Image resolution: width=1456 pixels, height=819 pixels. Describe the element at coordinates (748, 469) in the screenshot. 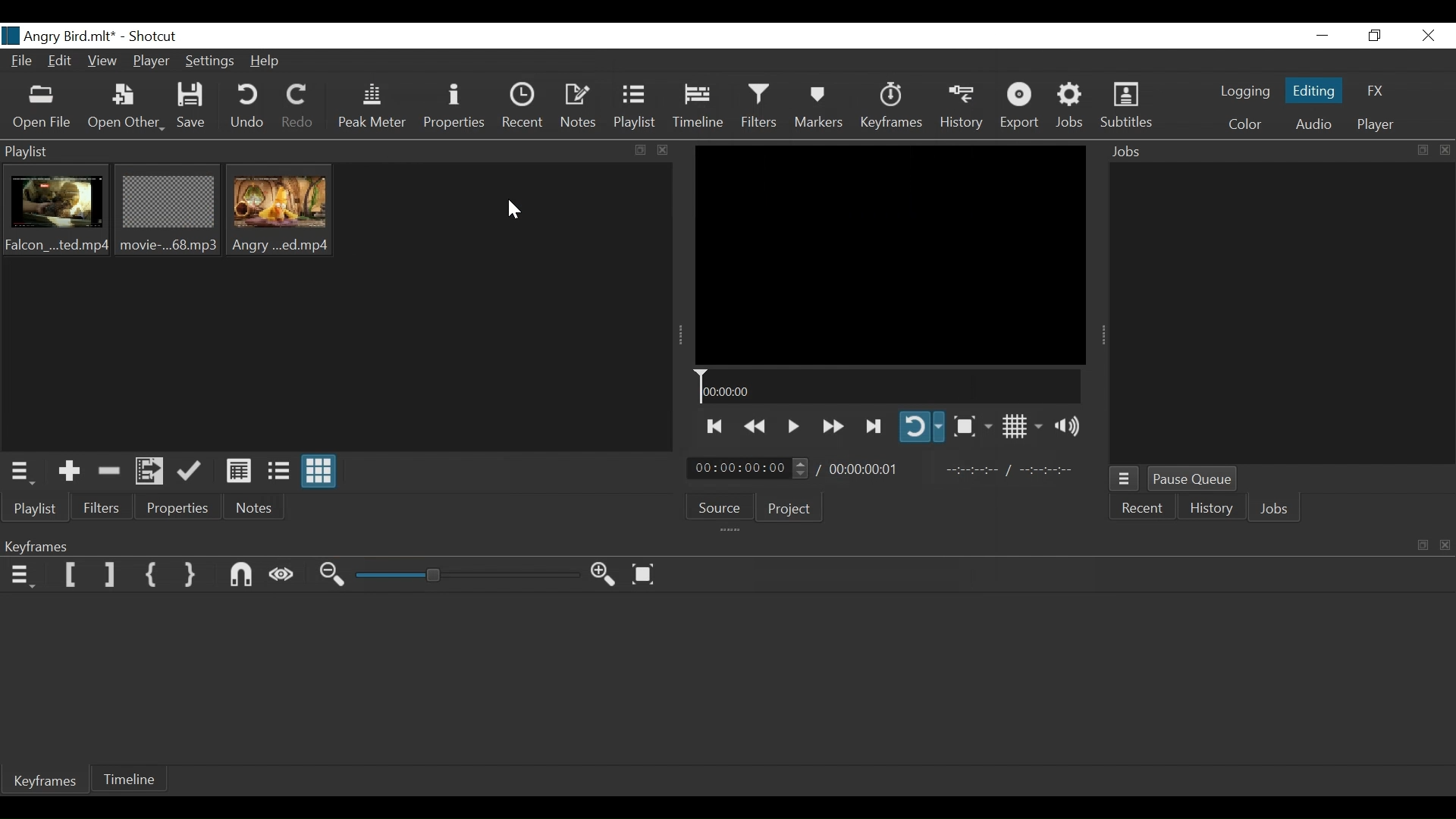

I see `Current Duration` at that location.